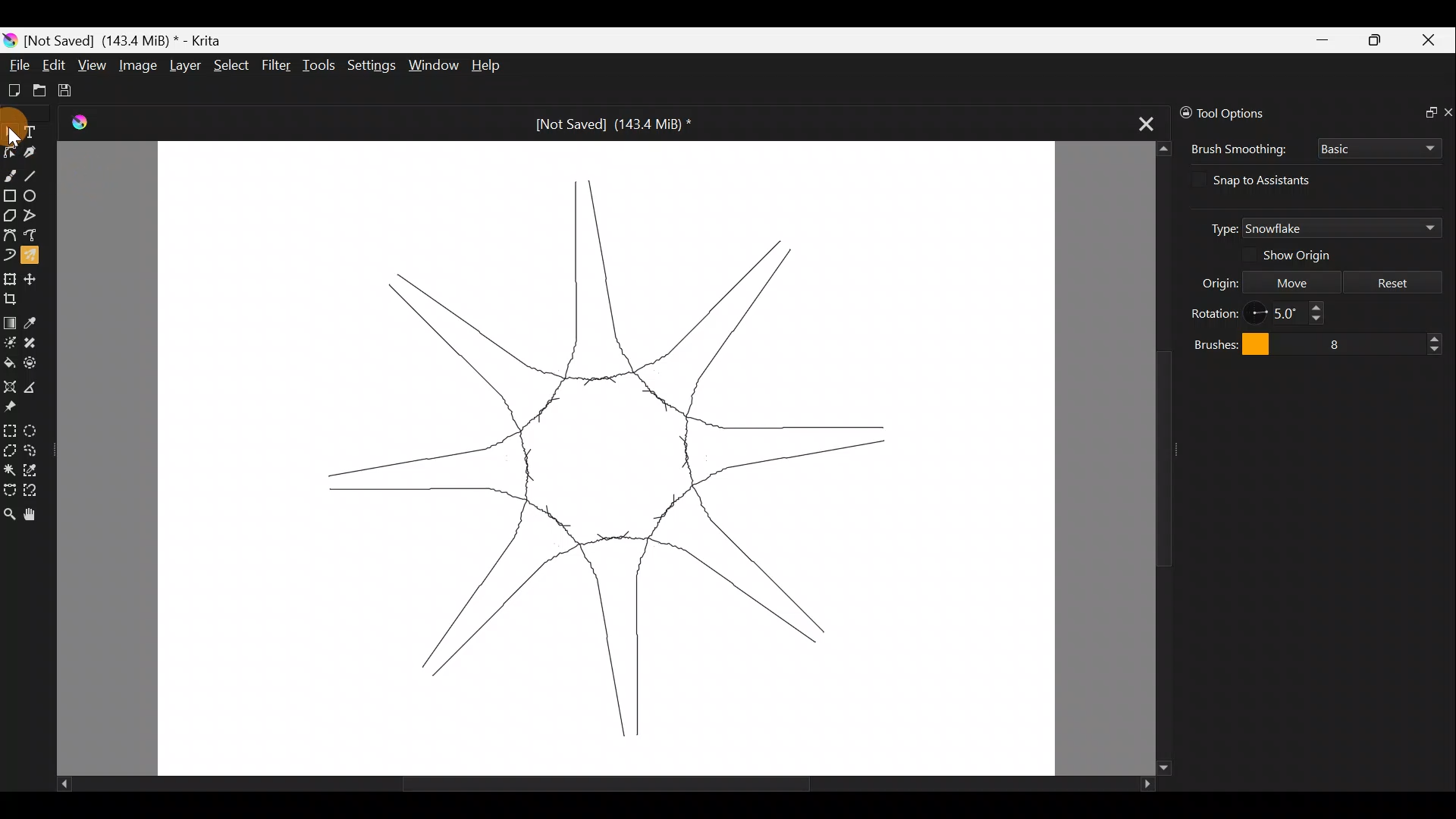  I want to click on Select, so click(232, 65).